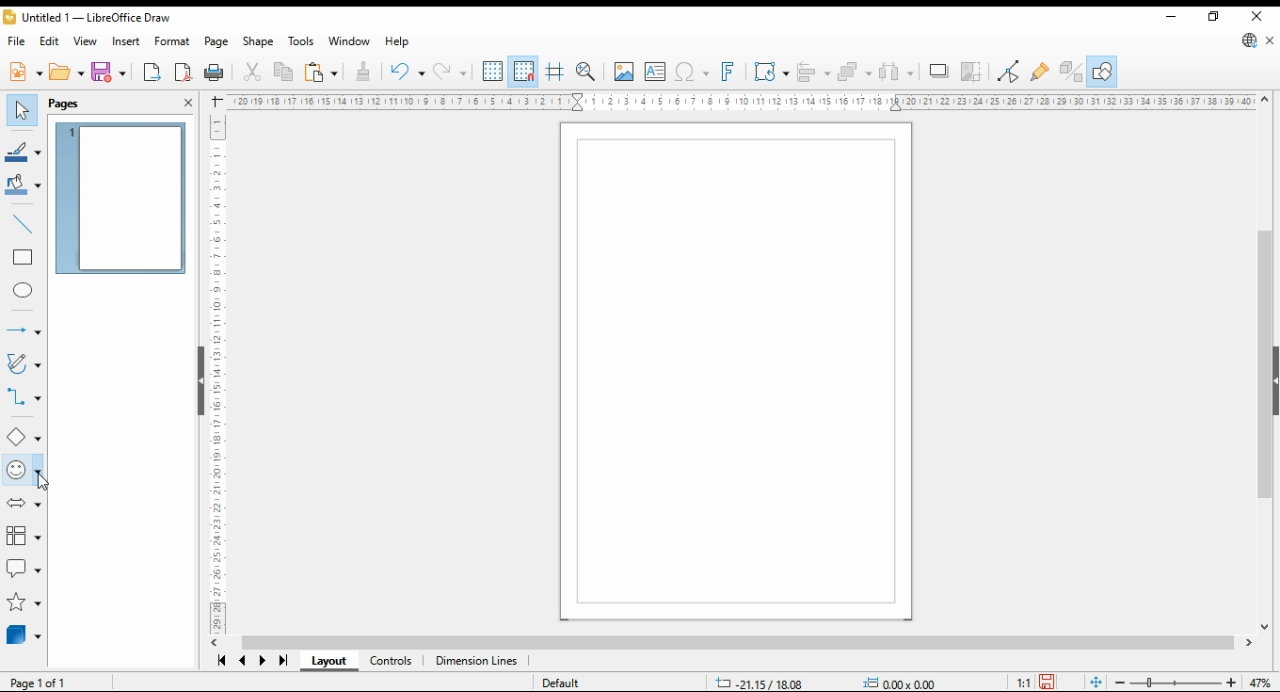 The width and height of the screenshot is (1280, 692). What do you see at coordinates (1040, 73) in the screenshot?
I see `show gluepoint functions` at bounding box center [1040, 73].